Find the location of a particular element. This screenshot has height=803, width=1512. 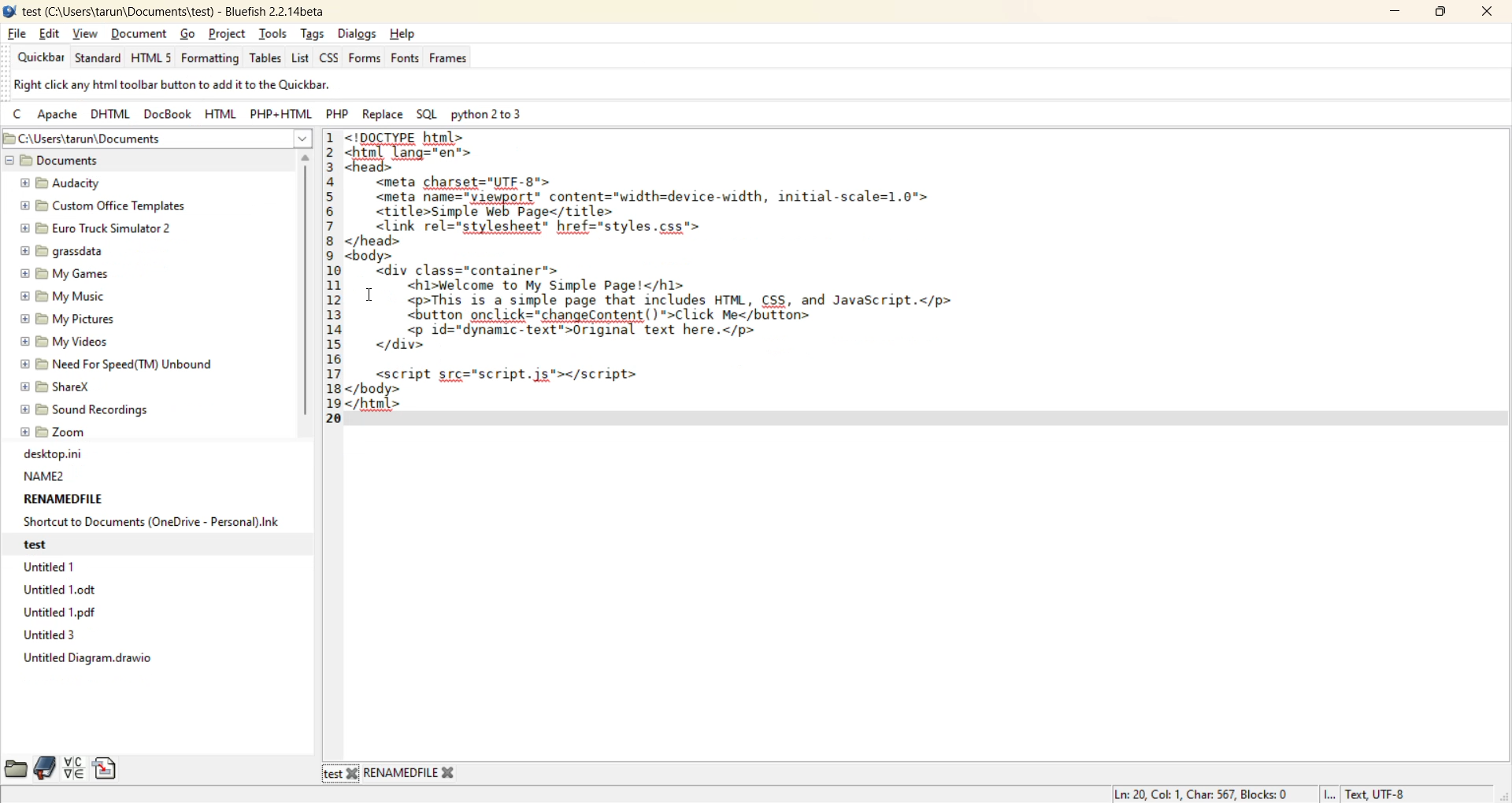

file path is located at coordinates (123, 139).